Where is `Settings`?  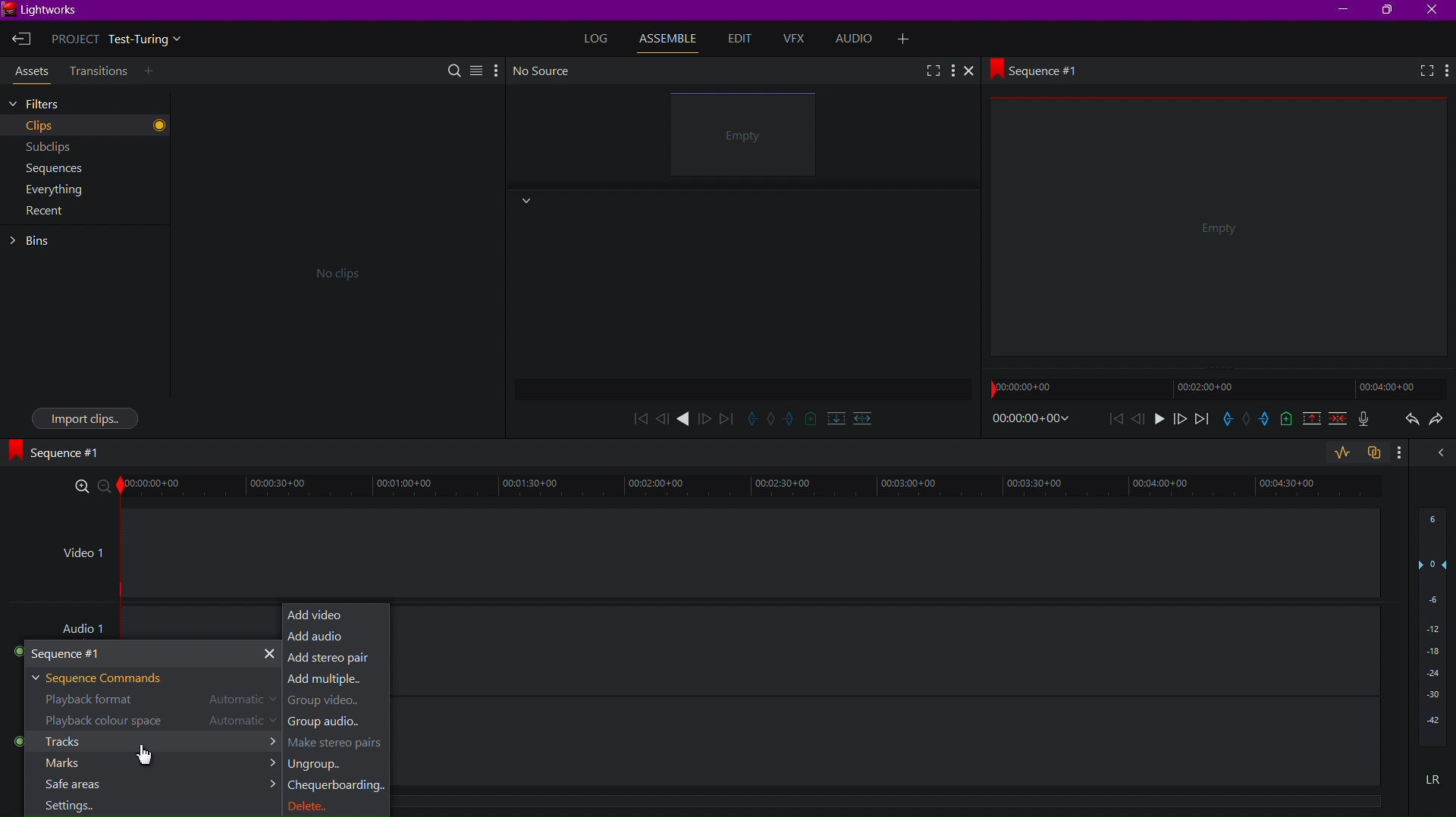
Settings is located at coordinates (70, 806).